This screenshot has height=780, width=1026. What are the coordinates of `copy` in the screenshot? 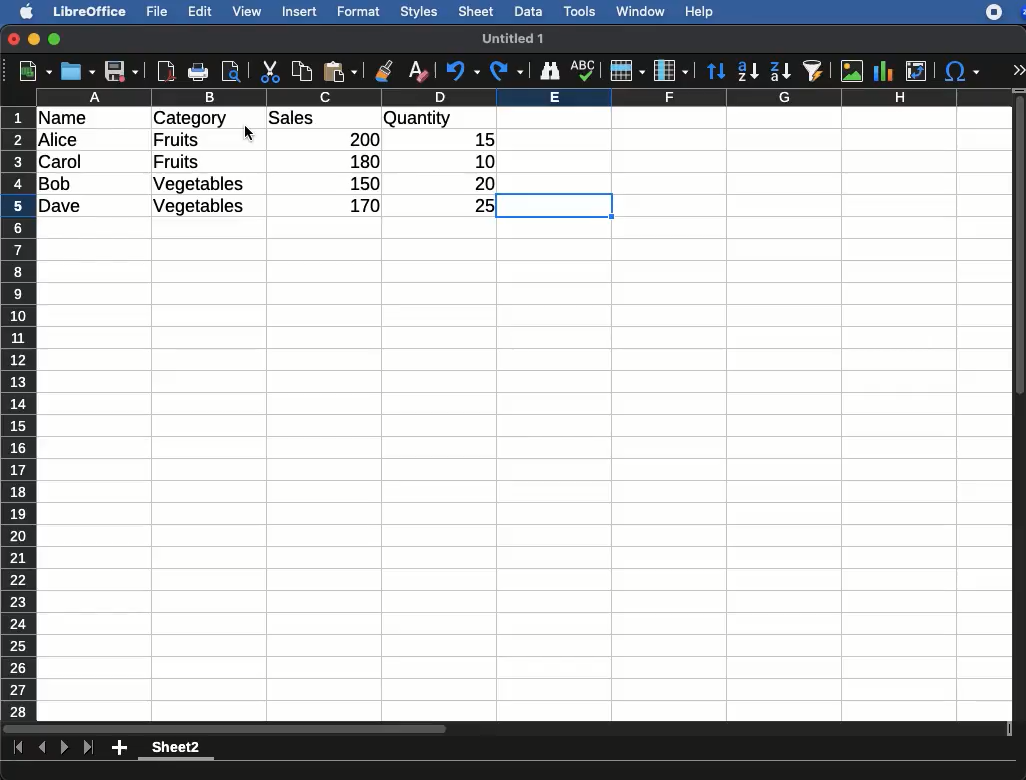 It's located at (304, 71).